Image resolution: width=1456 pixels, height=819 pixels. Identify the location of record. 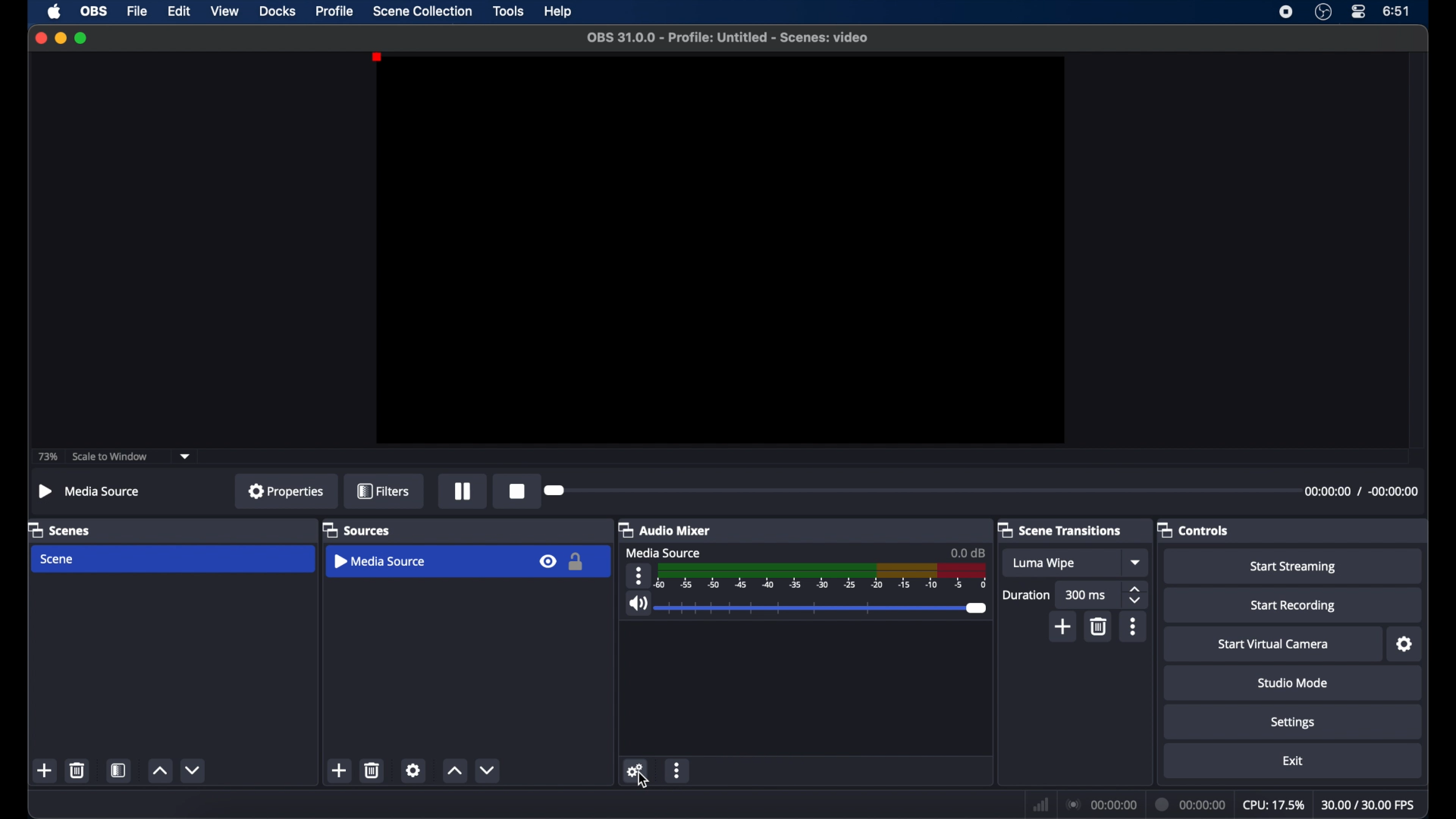
(519, 491).